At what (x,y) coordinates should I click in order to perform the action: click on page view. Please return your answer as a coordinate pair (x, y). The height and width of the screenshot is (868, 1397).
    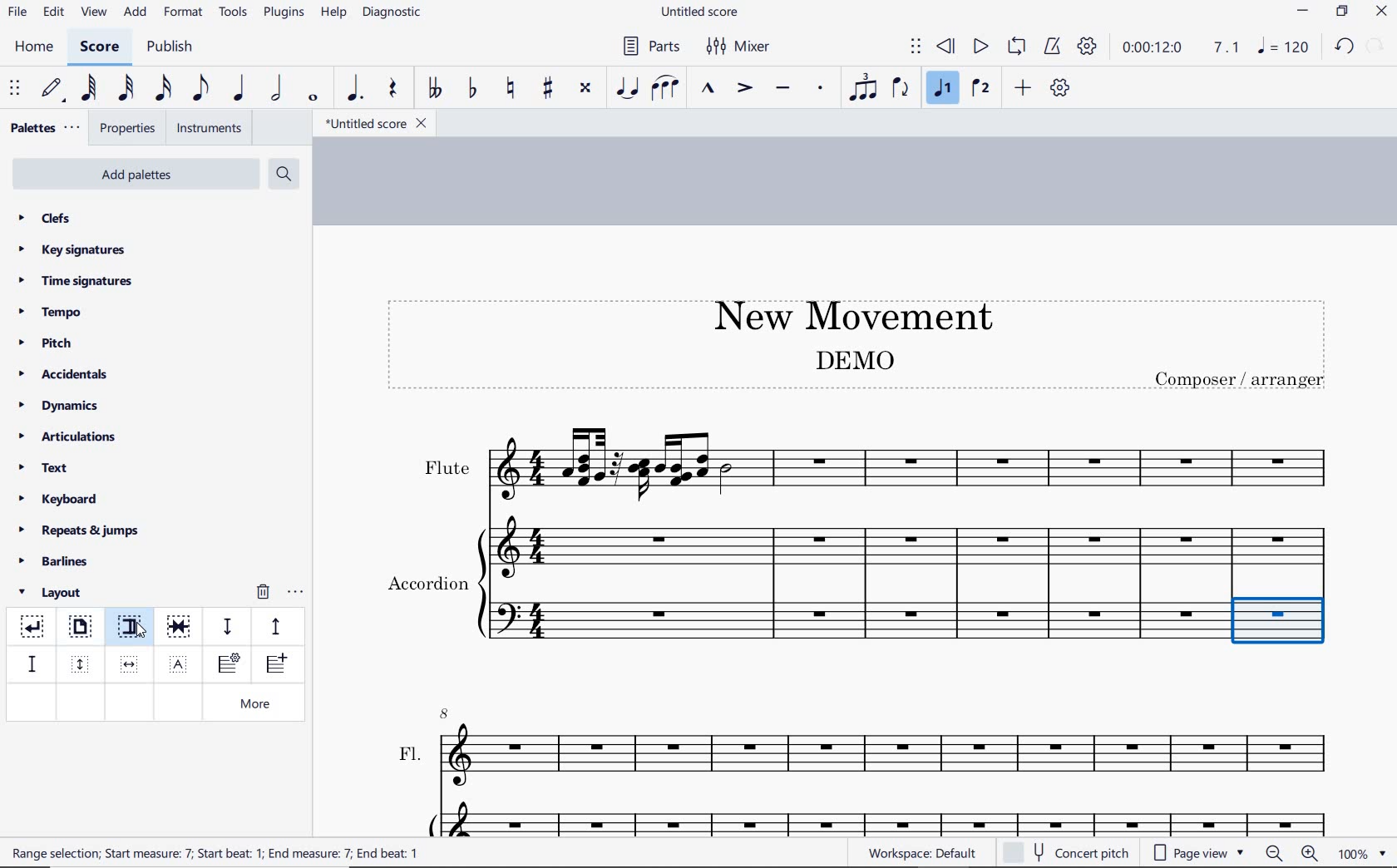
    Looking at the image, I should click on (1199, 853).